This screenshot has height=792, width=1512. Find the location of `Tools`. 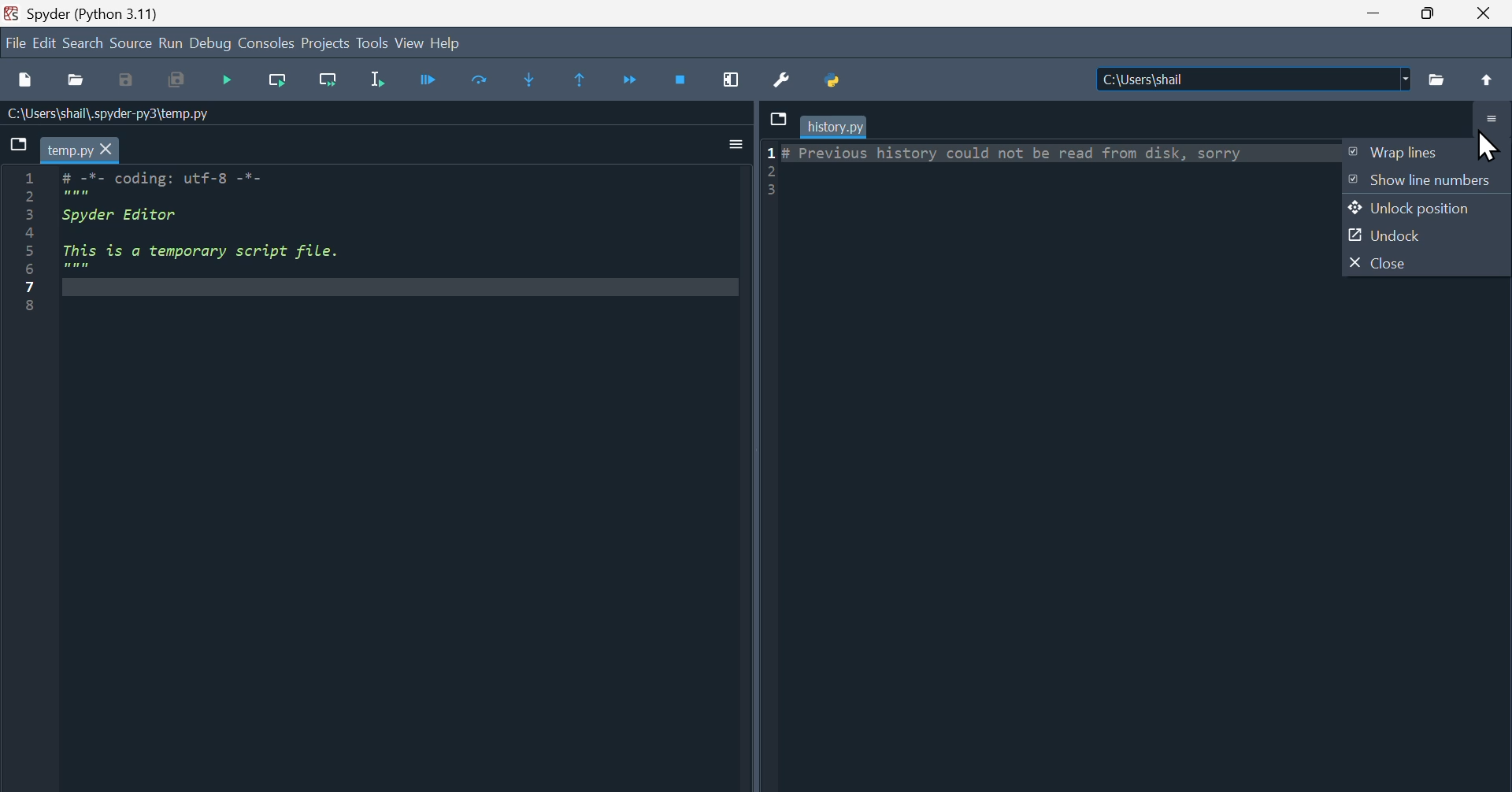

Tools is located at coordinates (373, 44).